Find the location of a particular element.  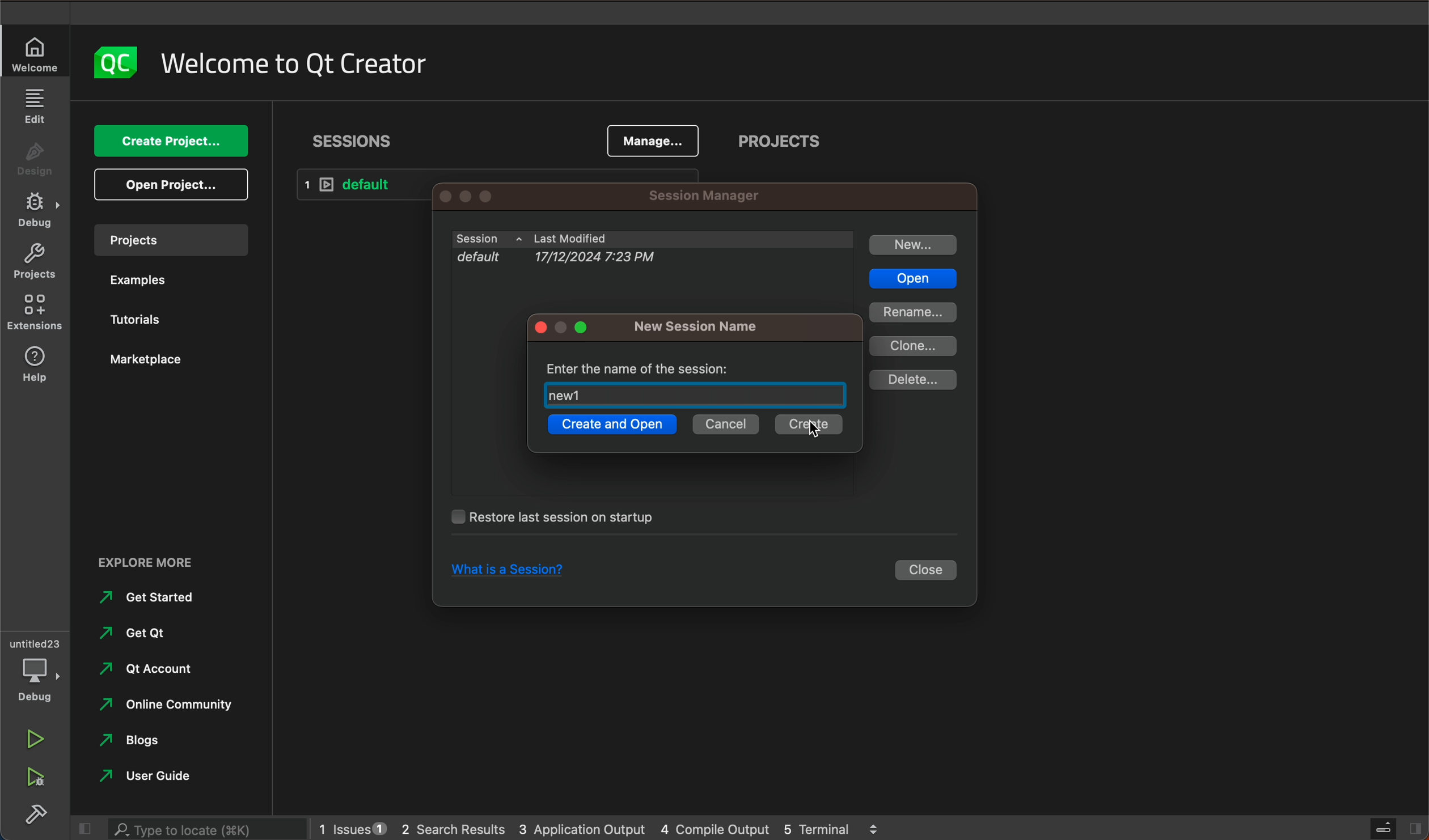

run debug is located at coordinates (35, 775).